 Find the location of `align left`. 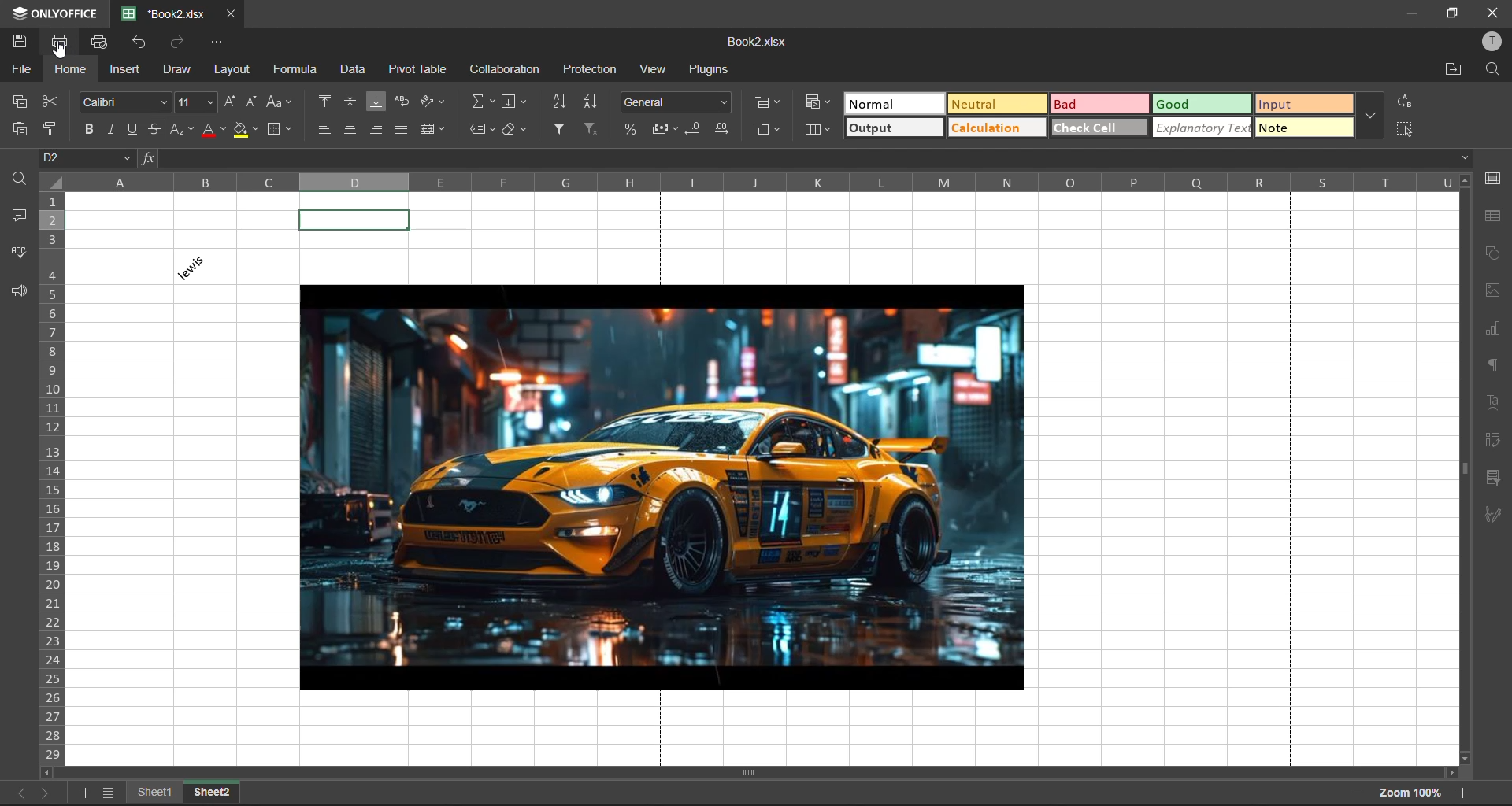

align left is located at coordinates (325, 128).